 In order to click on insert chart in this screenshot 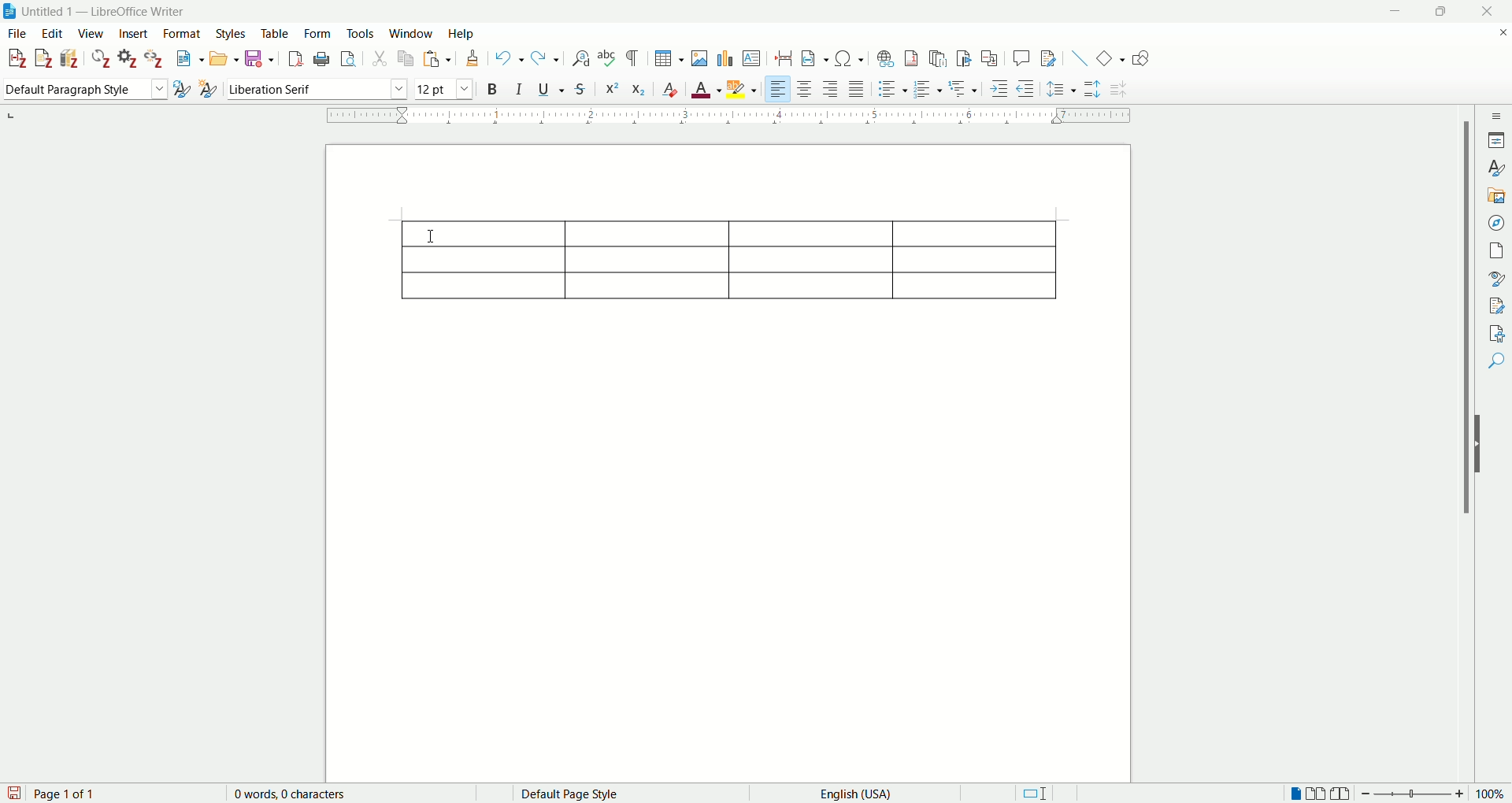, I will do `click(723, 60)`.